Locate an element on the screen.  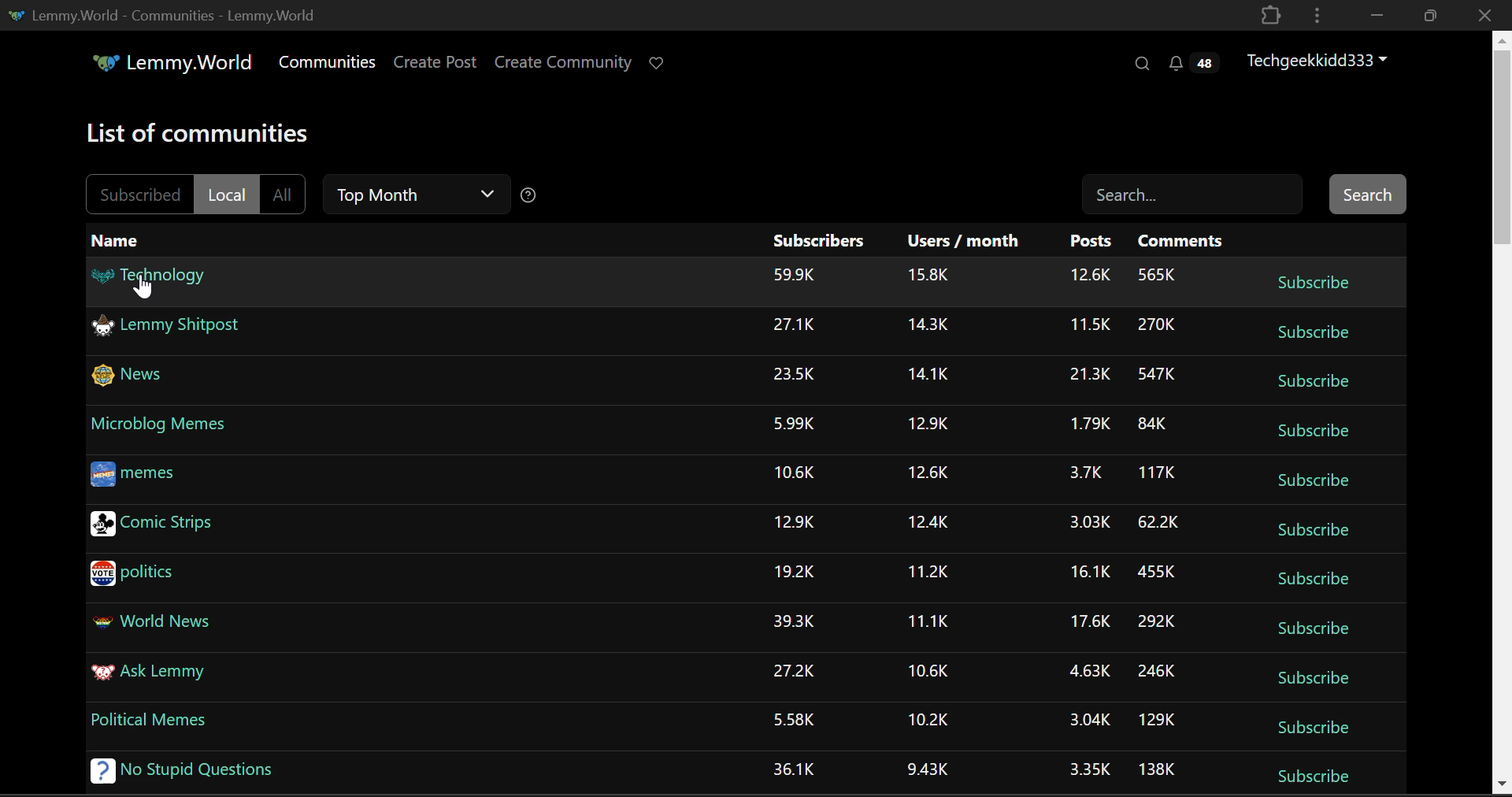
Amount is located at coordinates (1088, 669).